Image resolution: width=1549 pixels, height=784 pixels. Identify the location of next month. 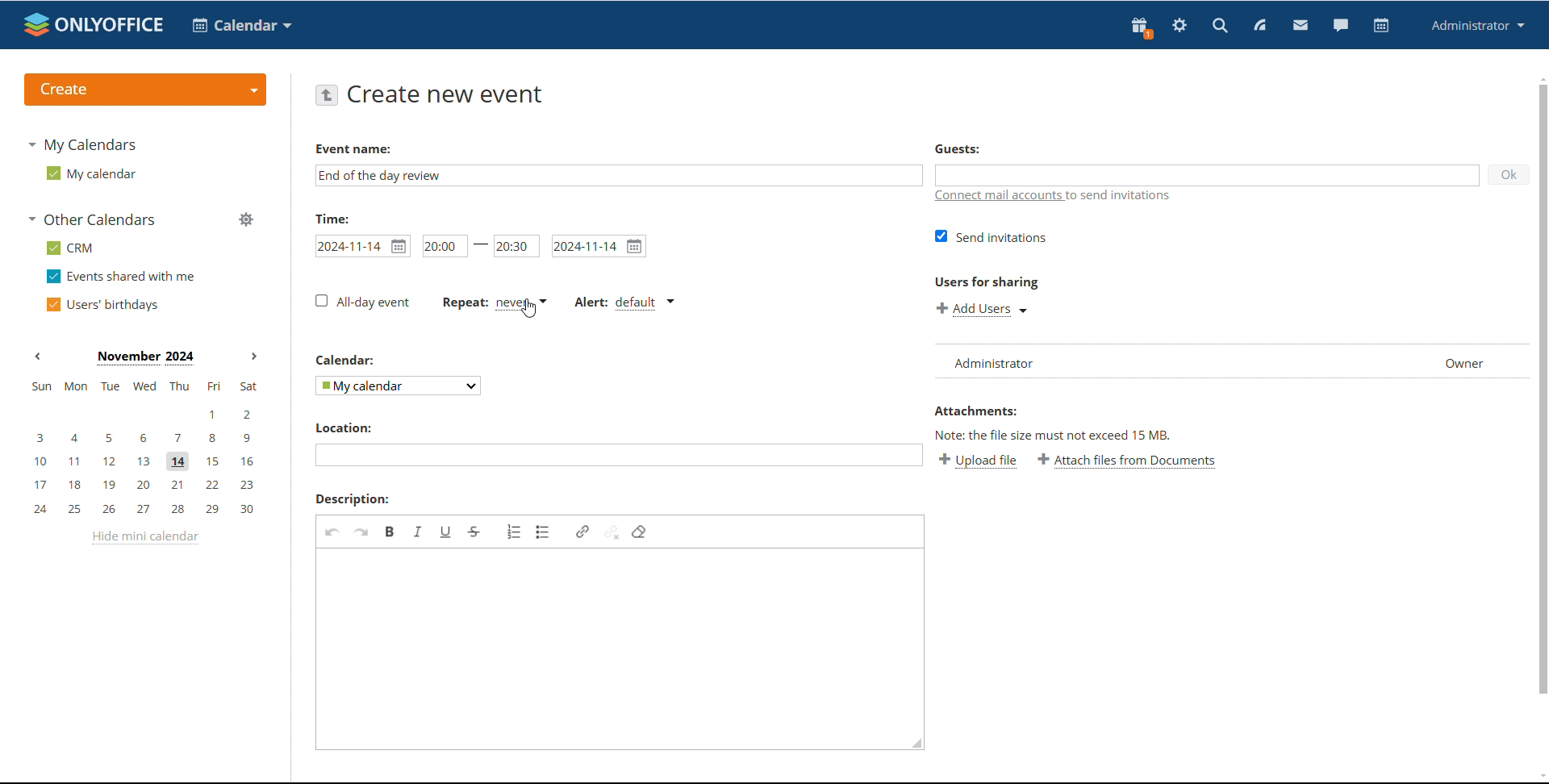
(254, 357).